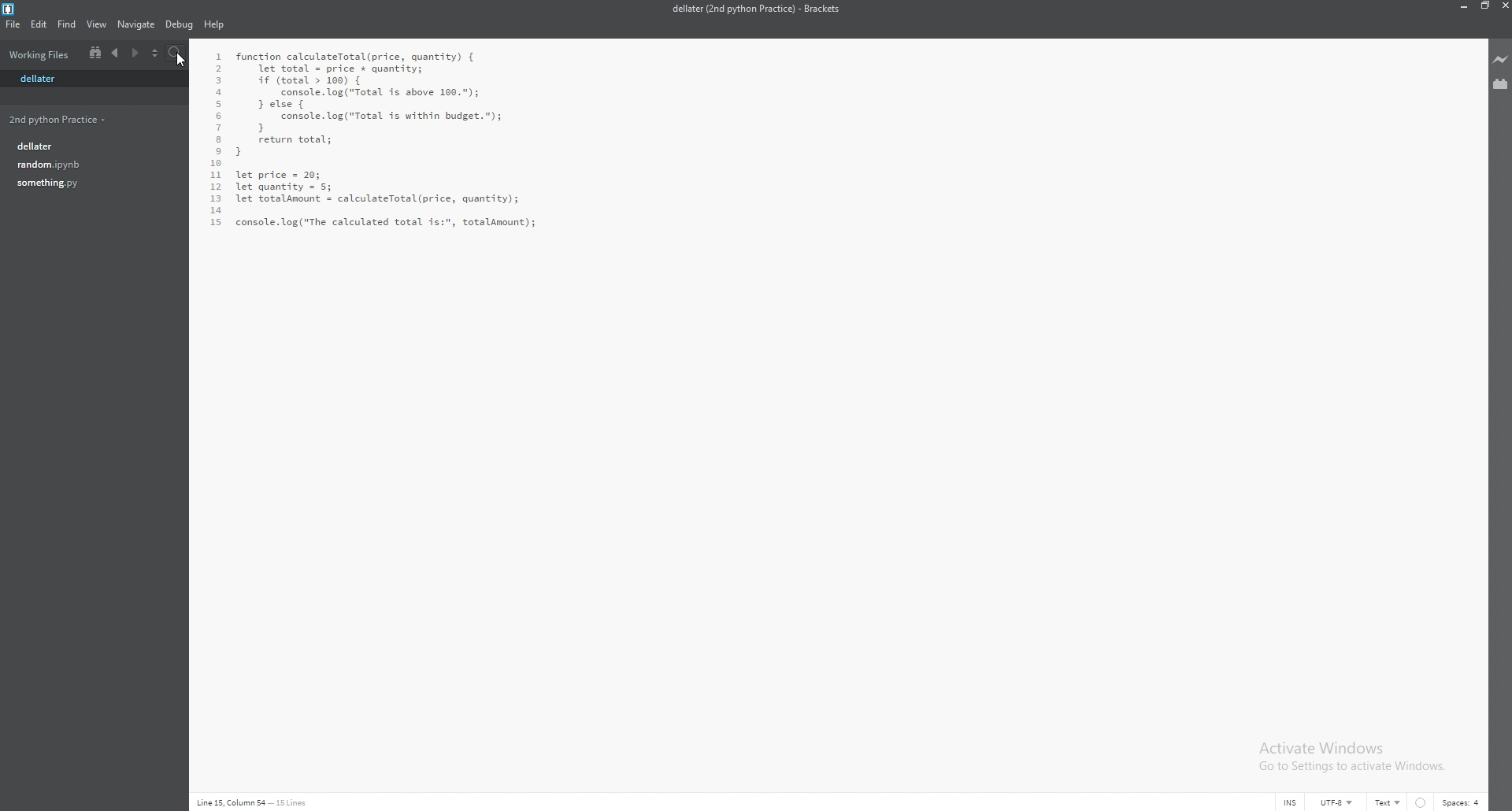  What do you see at coordinates (91, 146) in the screenshot?
I see `dellater` at bounding box center [91, 146].